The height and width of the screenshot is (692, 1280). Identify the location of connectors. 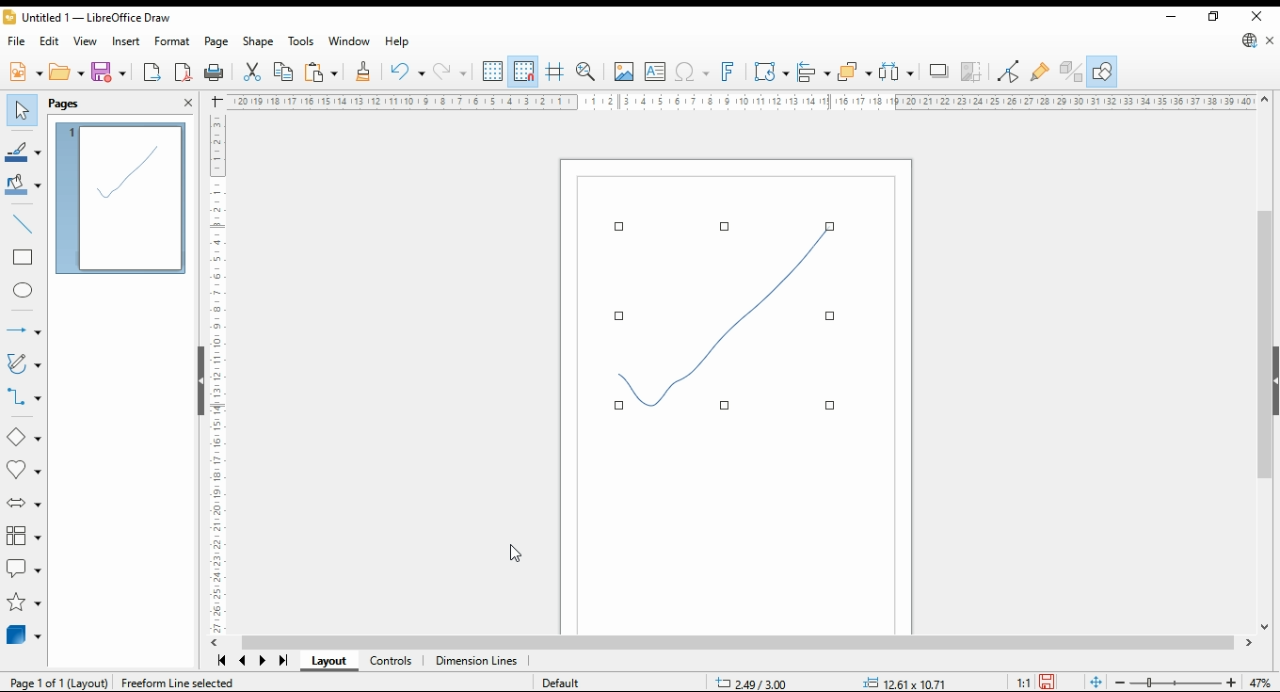
(22, 399).